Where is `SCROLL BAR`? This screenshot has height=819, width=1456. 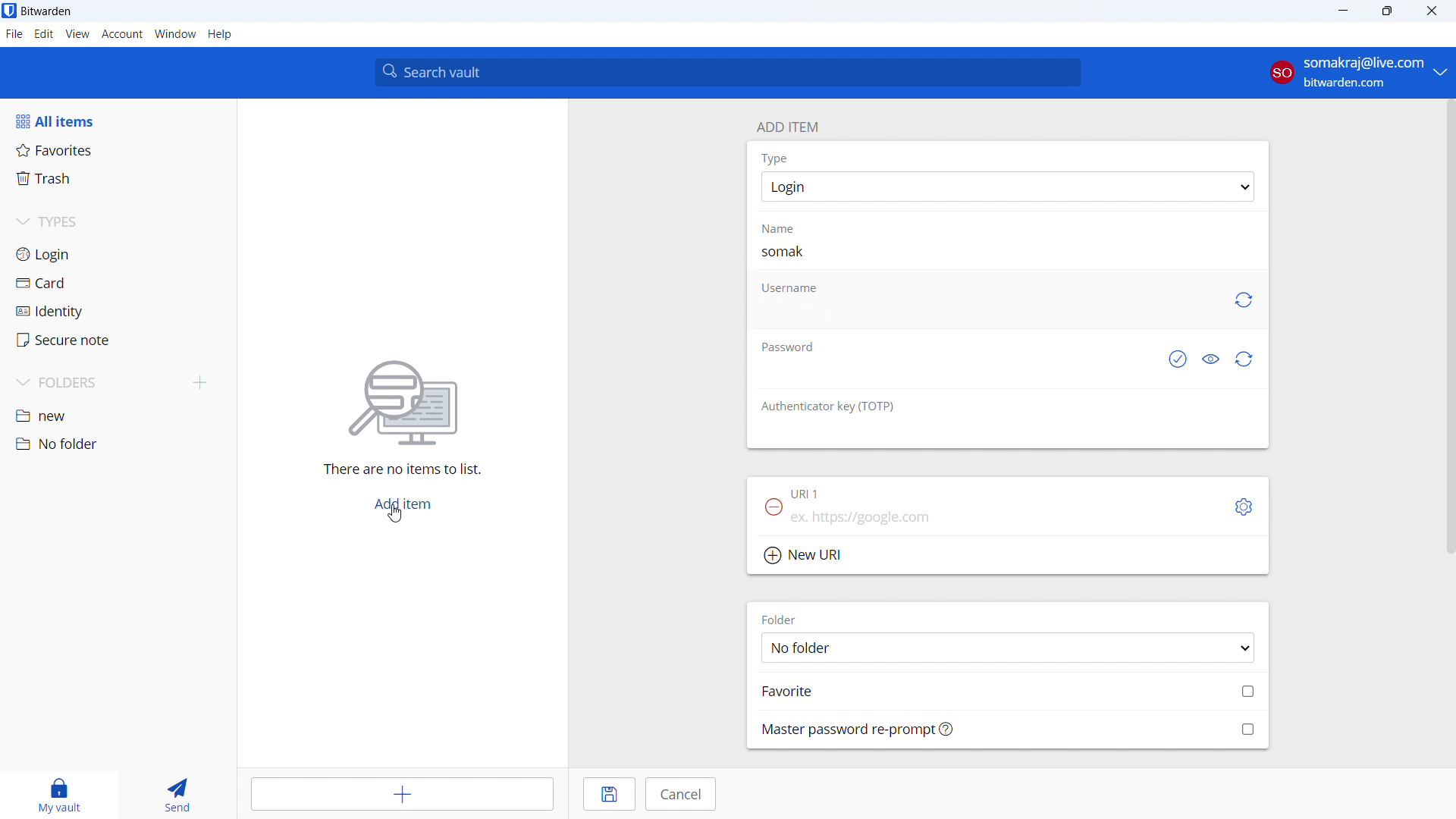
SCROLL BAR is located at coordinates (1447, 328).